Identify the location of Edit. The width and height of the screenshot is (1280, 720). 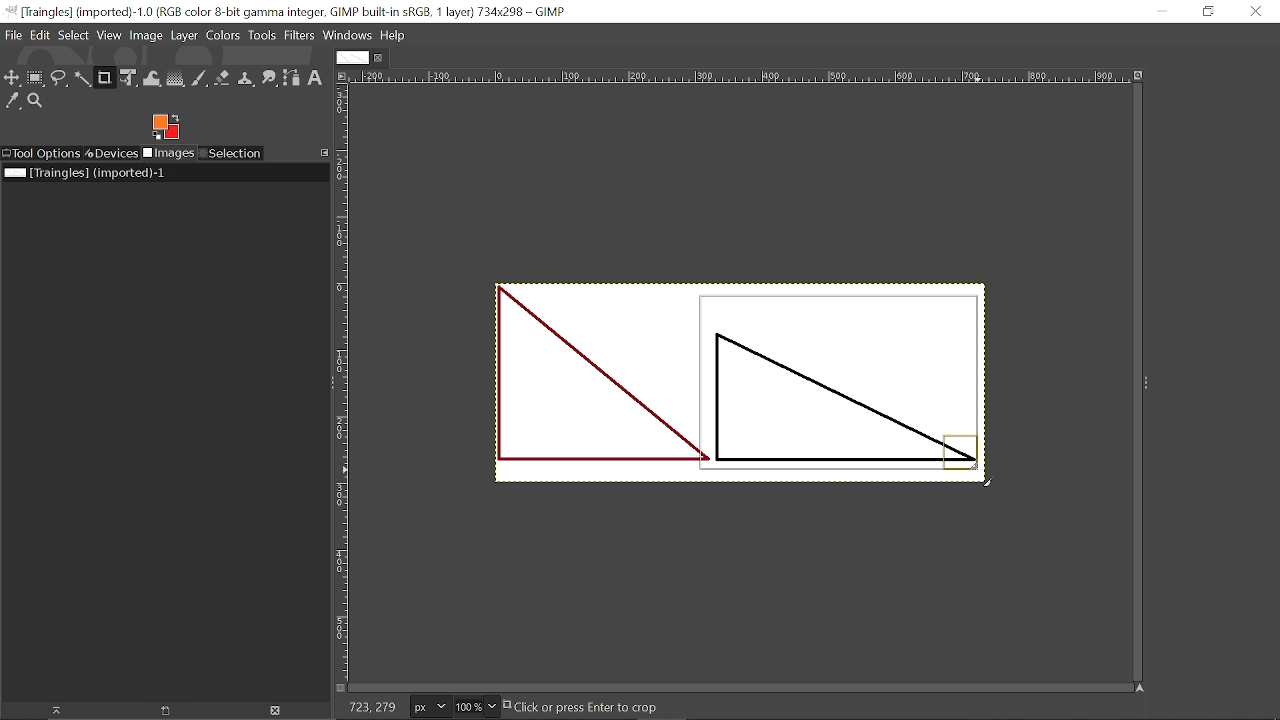
(42, 36).